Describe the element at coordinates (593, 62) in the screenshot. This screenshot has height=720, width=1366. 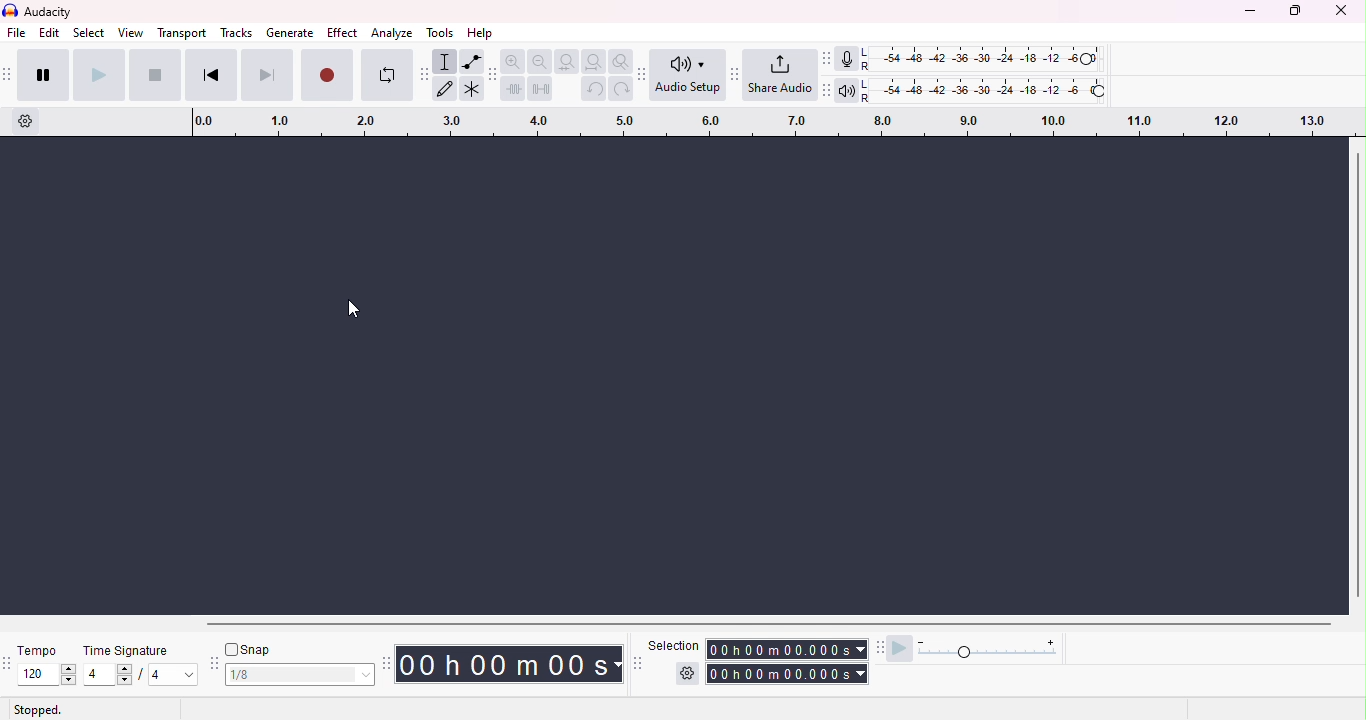
I see `fit project to width` at that location.